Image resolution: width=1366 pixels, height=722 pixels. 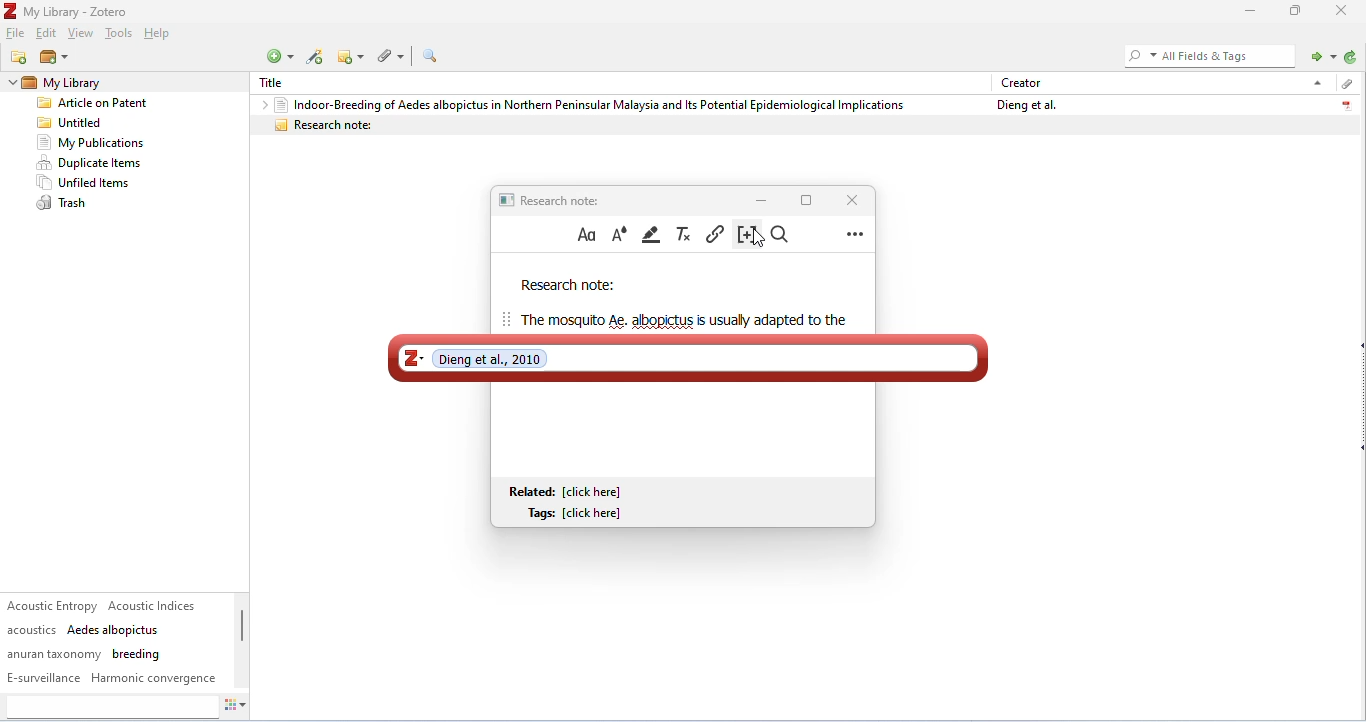 I want to click on drop down, so click(x=10, y=83).